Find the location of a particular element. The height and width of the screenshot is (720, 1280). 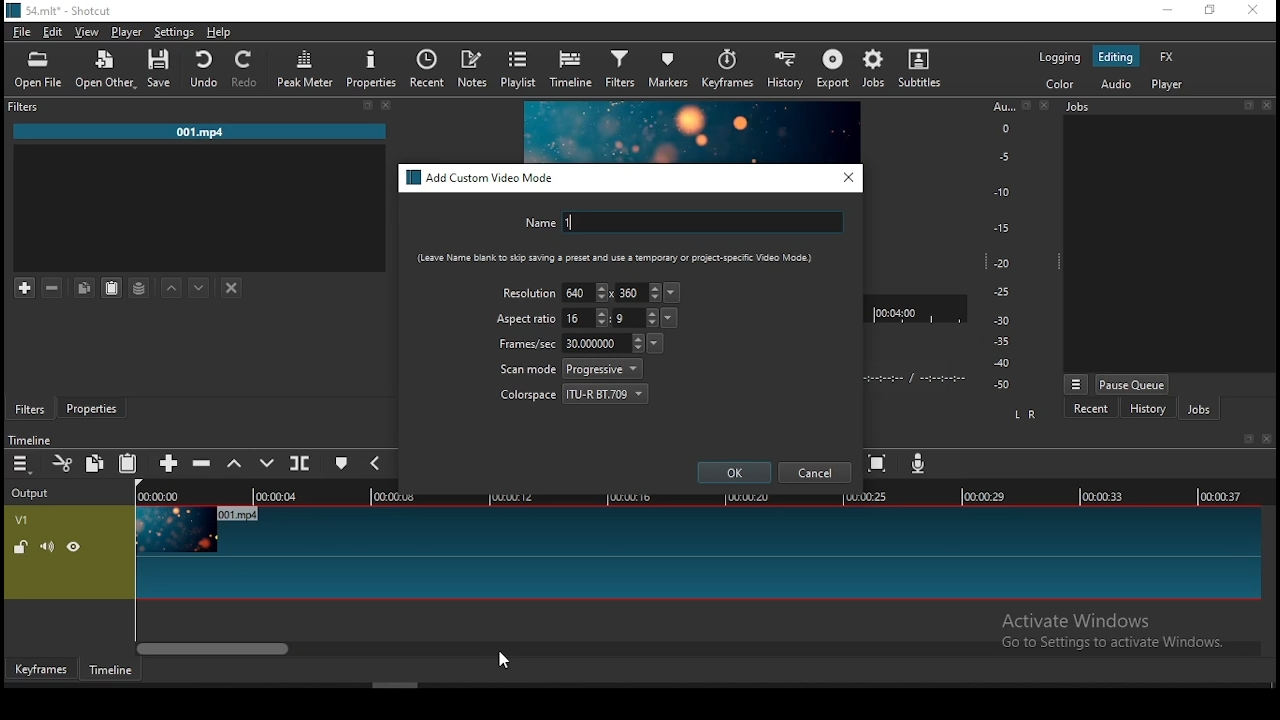

close is located at coordinates (387, 105).